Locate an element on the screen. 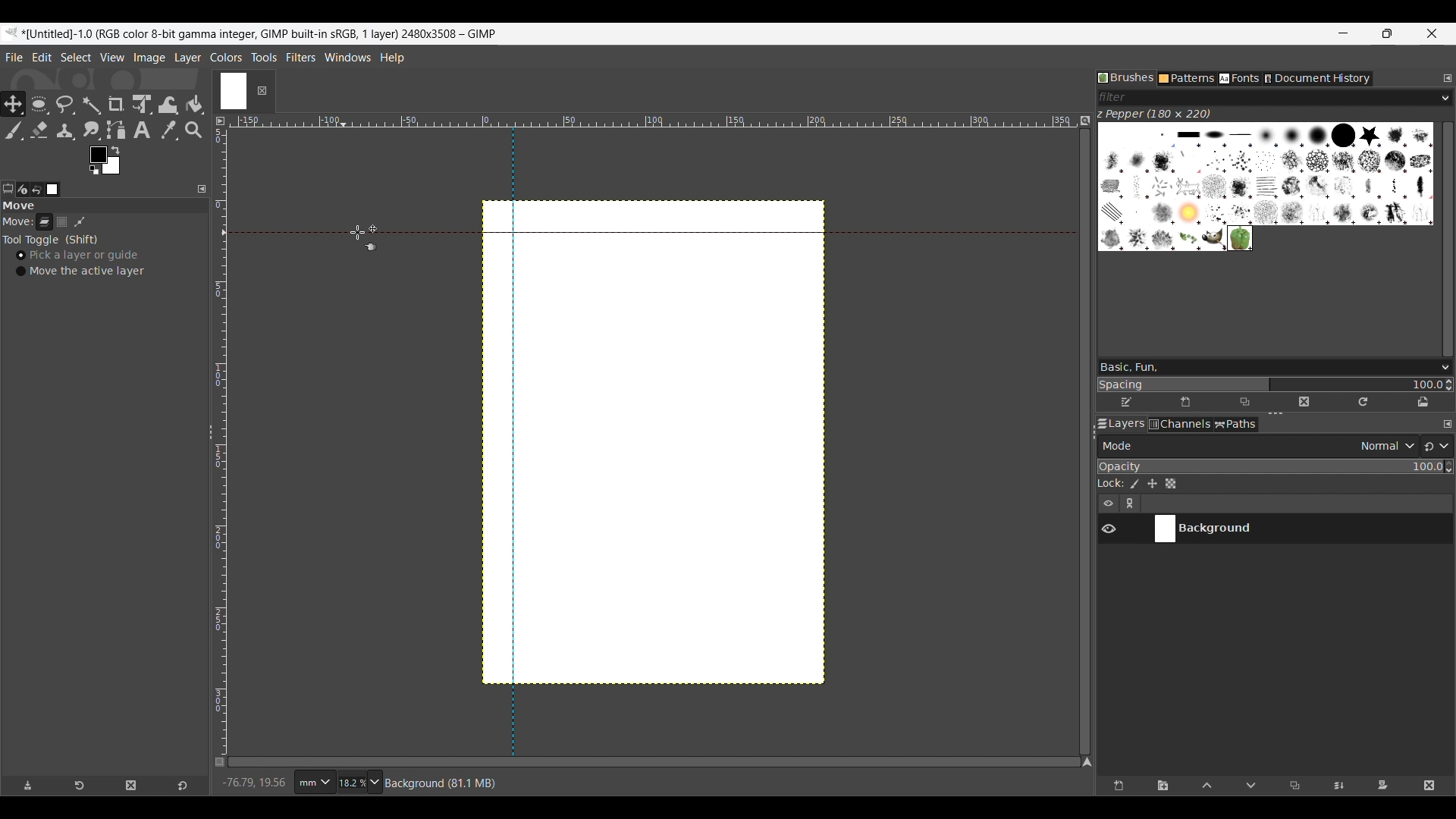  Lock pixels is located at coordinates (1134, 484).